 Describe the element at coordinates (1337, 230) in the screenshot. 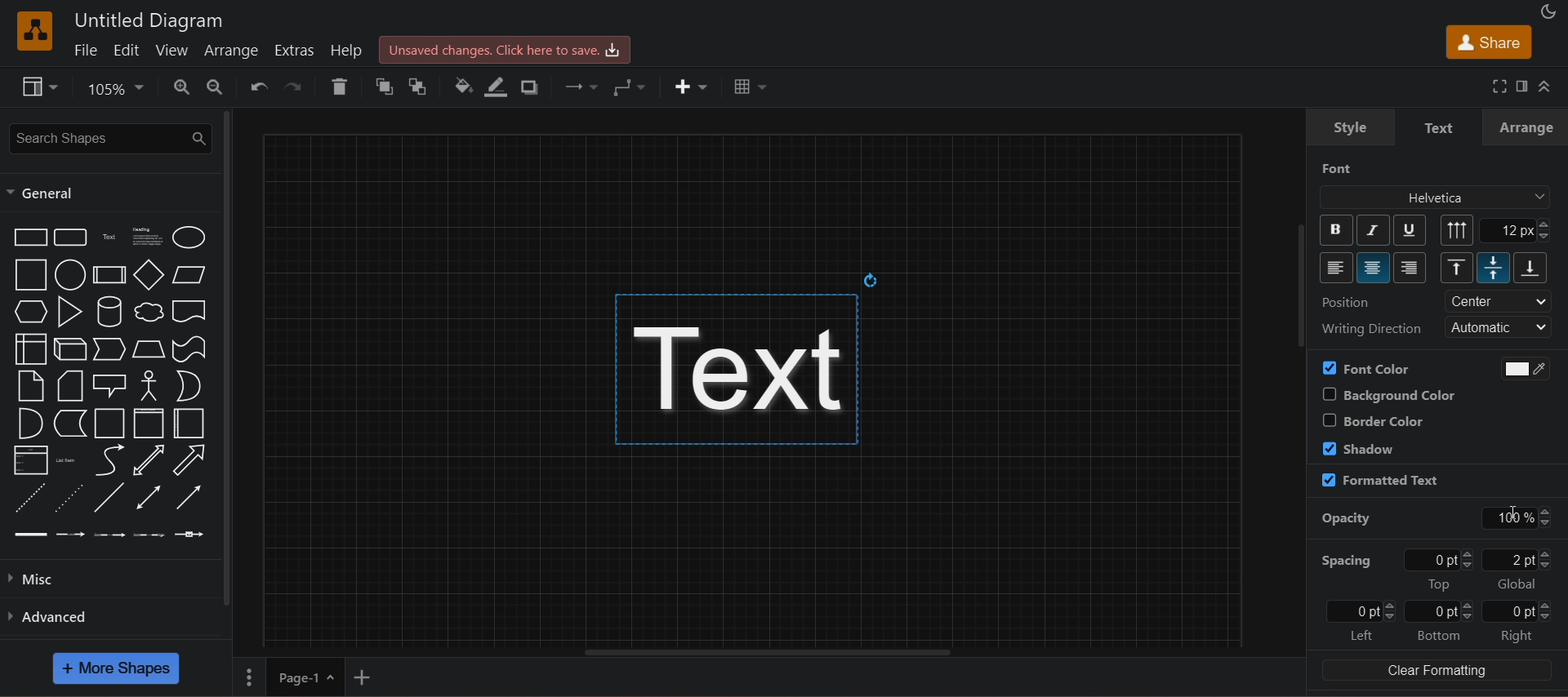

I see `bold` at that location.